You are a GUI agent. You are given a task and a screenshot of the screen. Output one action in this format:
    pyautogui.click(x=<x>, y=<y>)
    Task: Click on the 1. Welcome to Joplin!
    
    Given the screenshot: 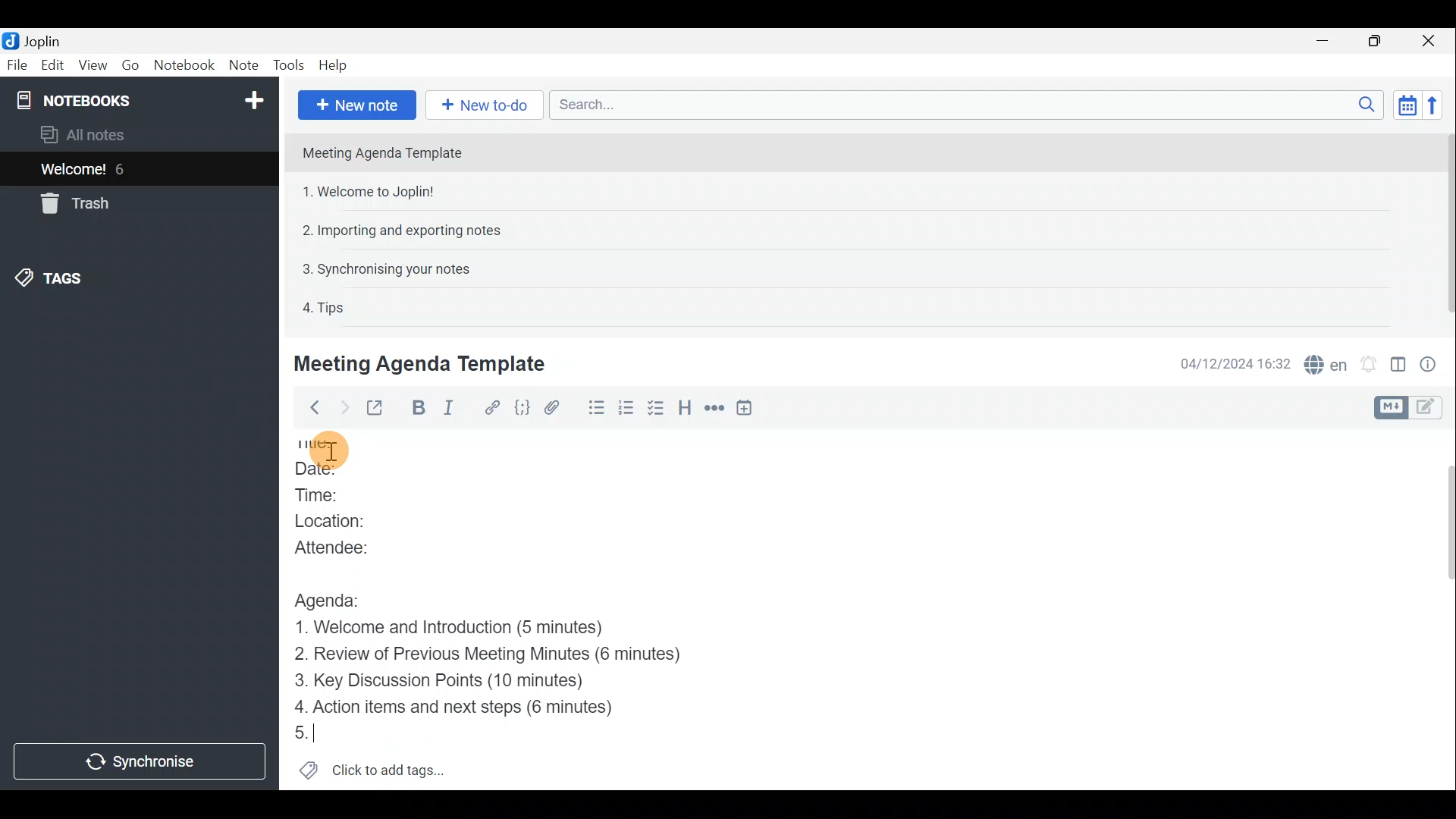 What is the action you would take?
    pyautogui.click(x=373, y=191)
    